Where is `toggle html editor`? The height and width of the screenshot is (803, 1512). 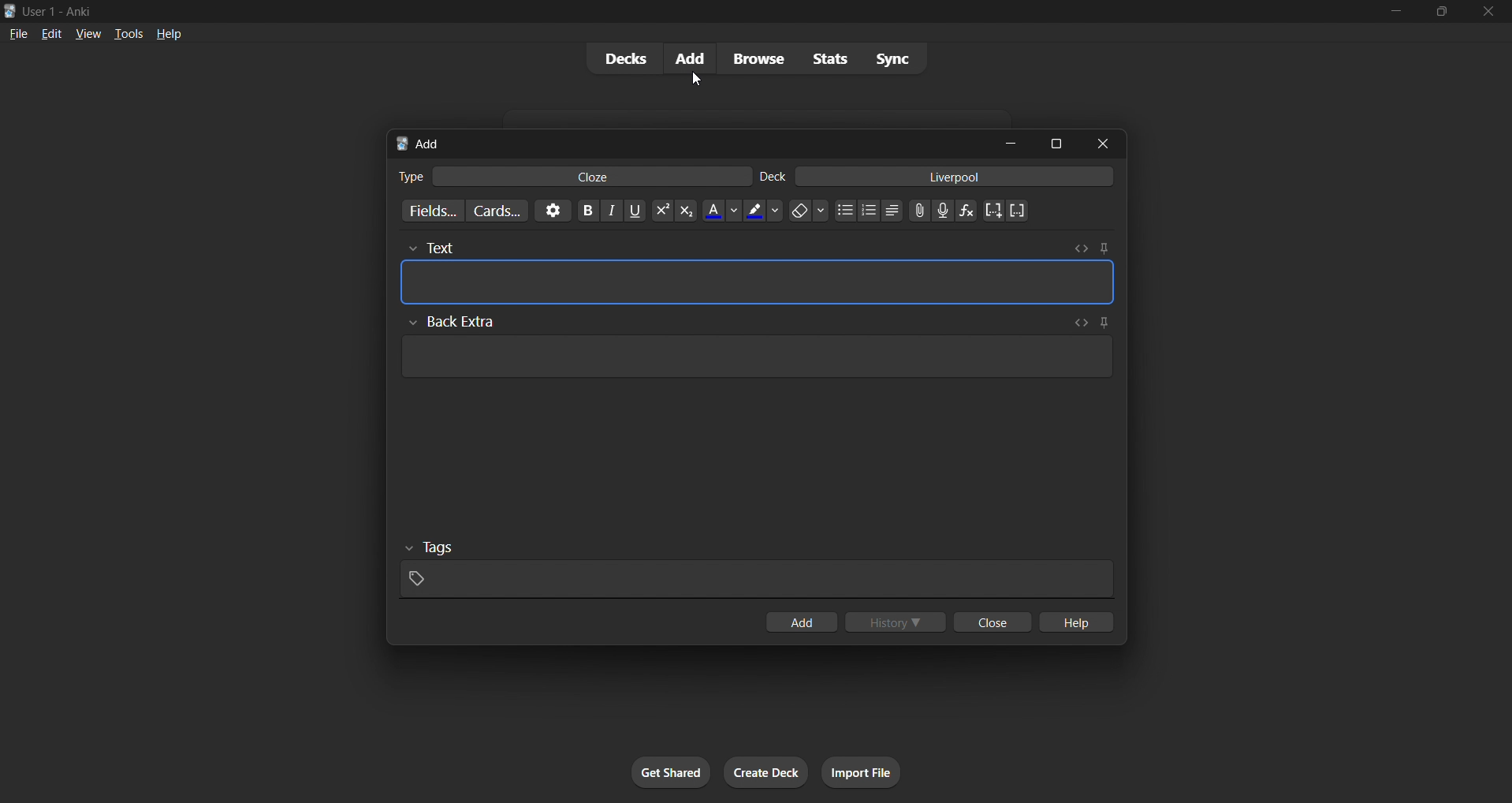
toggle html editor is located at coordinates (1081, 322).